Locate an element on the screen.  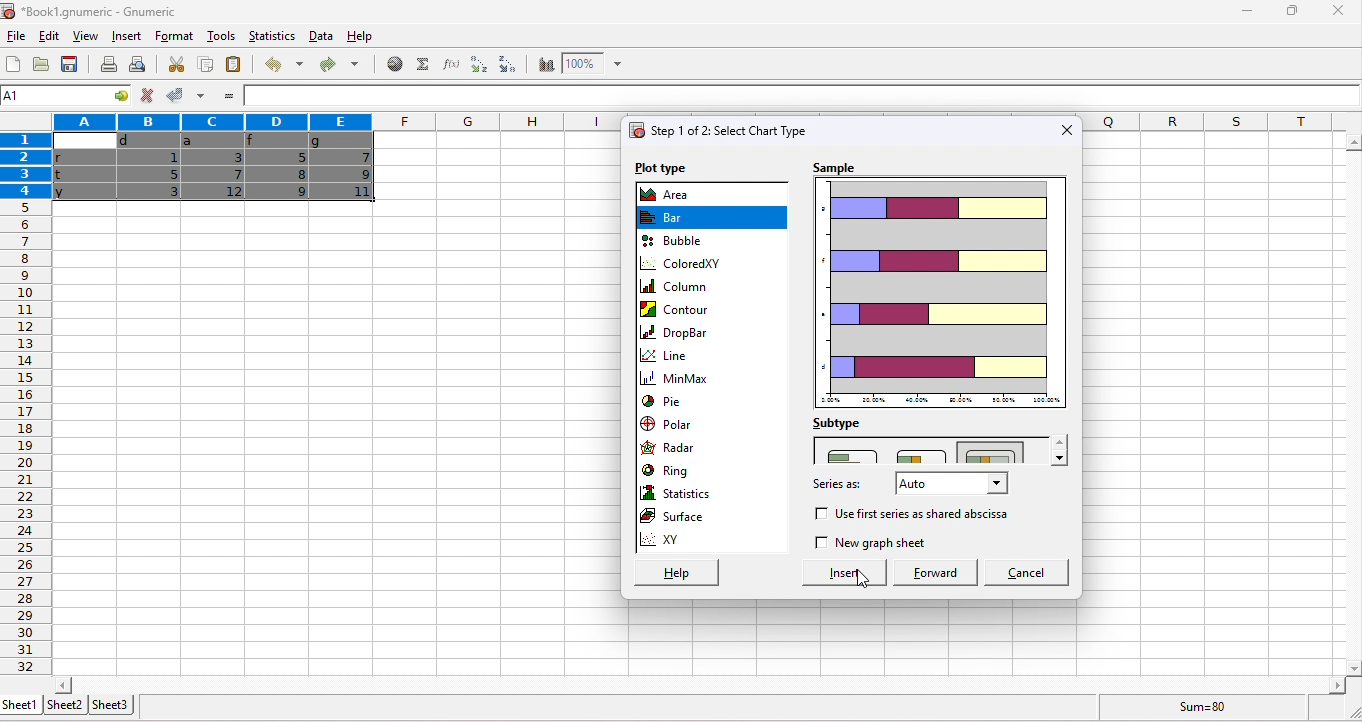
Book1.gnumeric - Gnumeric is located at coordinates (92, 11).